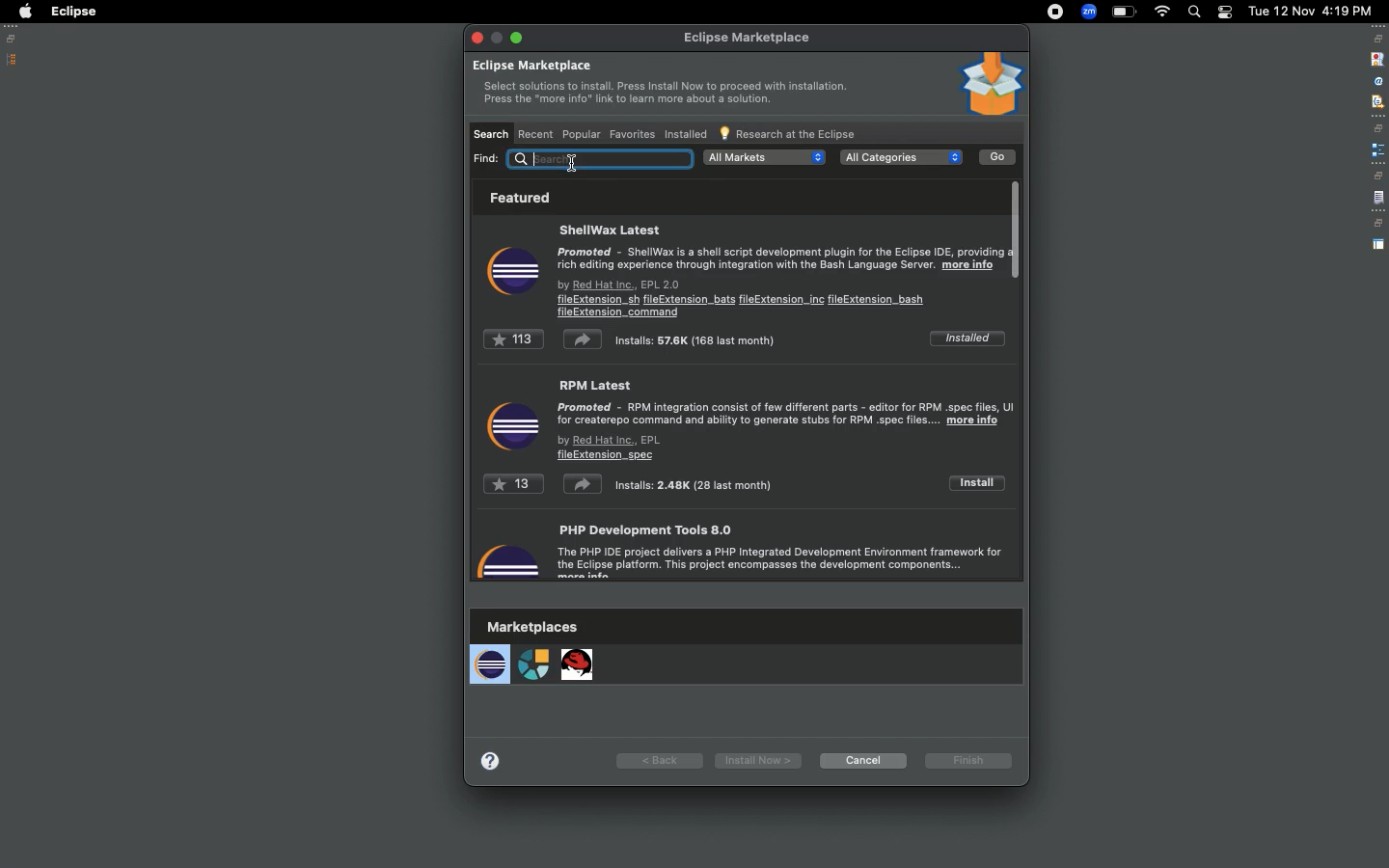 This screenshot has height=868, width=1389. I want to click on restore, so click(1378, 39).